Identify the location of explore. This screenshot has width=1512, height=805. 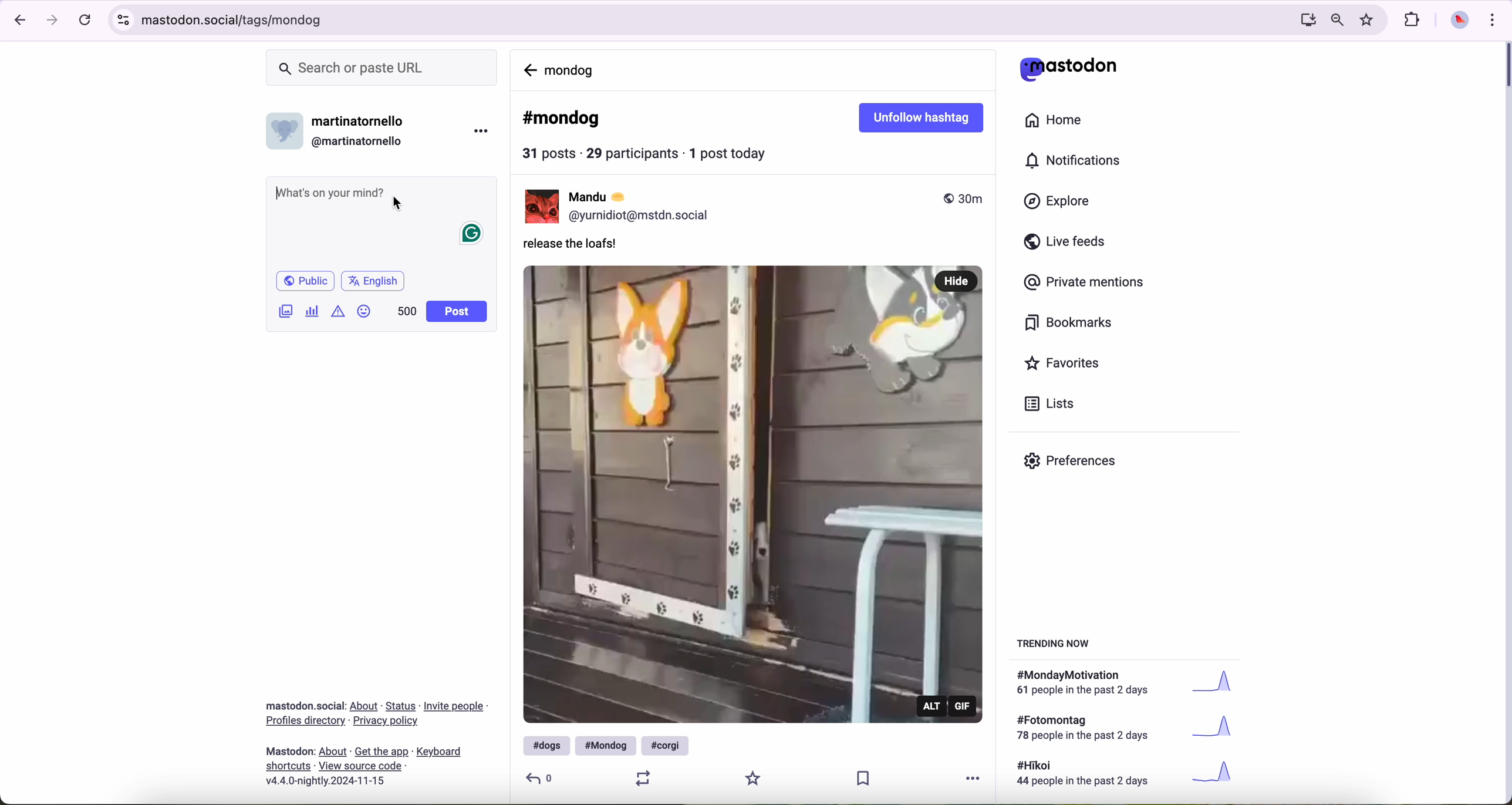
(1059, 202).